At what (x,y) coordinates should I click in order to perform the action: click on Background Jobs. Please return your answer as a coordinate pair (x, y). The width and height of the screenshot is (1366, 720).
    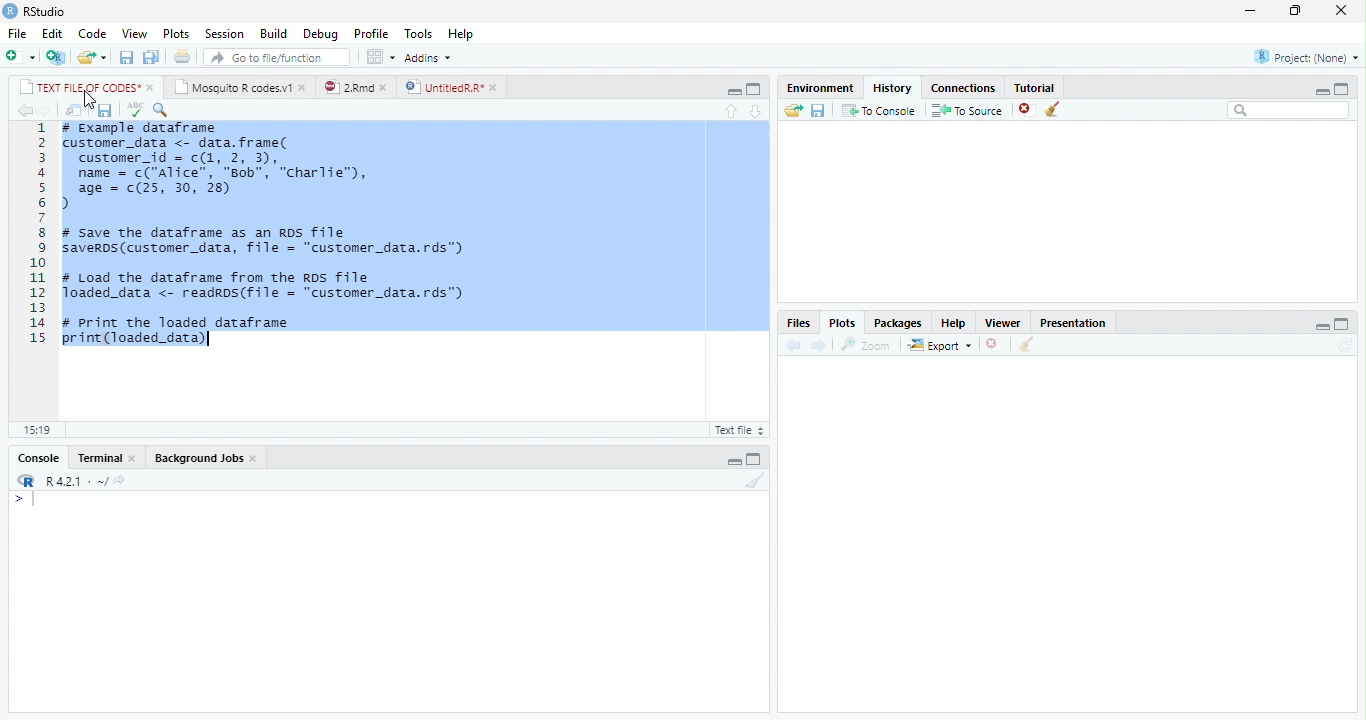
    Looking at the image, I should click on (198, 458).